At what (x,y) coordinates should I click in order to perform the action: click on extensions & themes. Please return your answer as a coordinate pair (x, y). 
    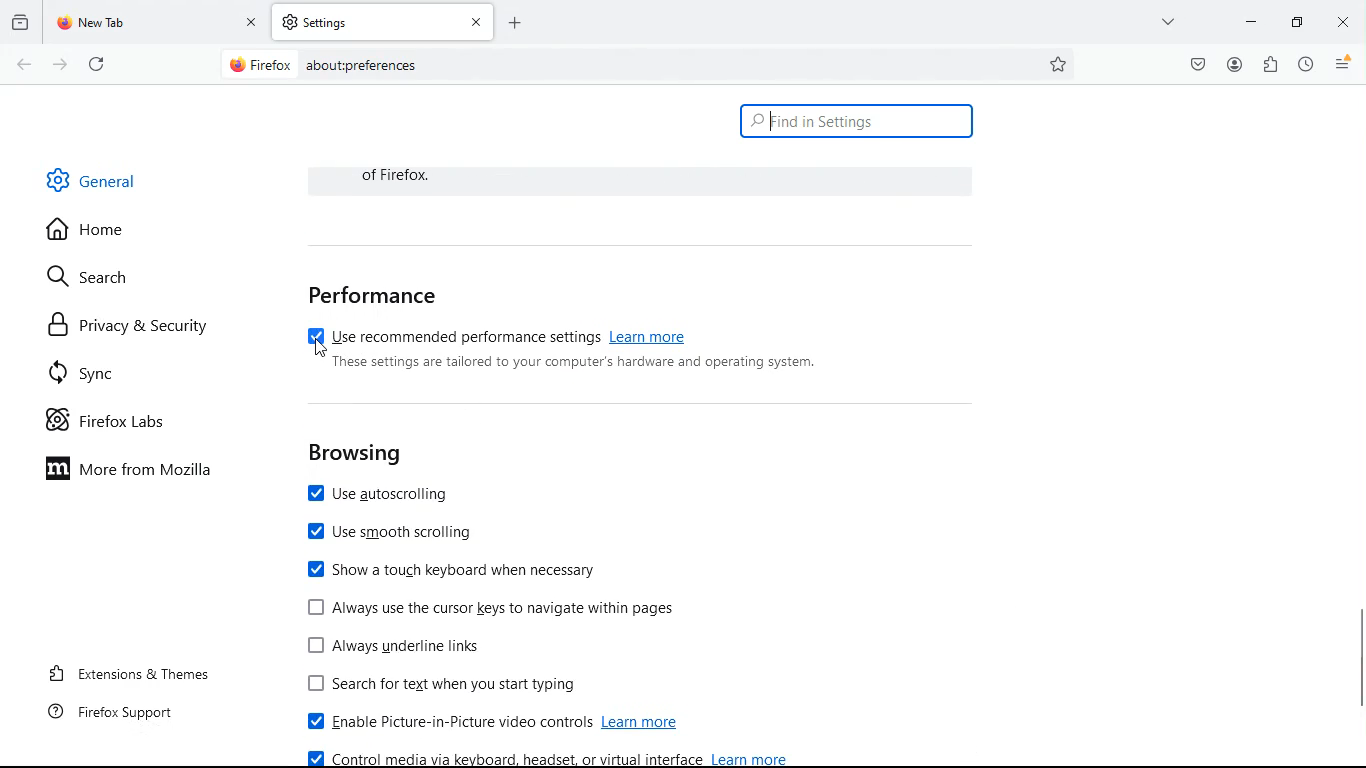
    Looking at the image, I should click on (125, 674).